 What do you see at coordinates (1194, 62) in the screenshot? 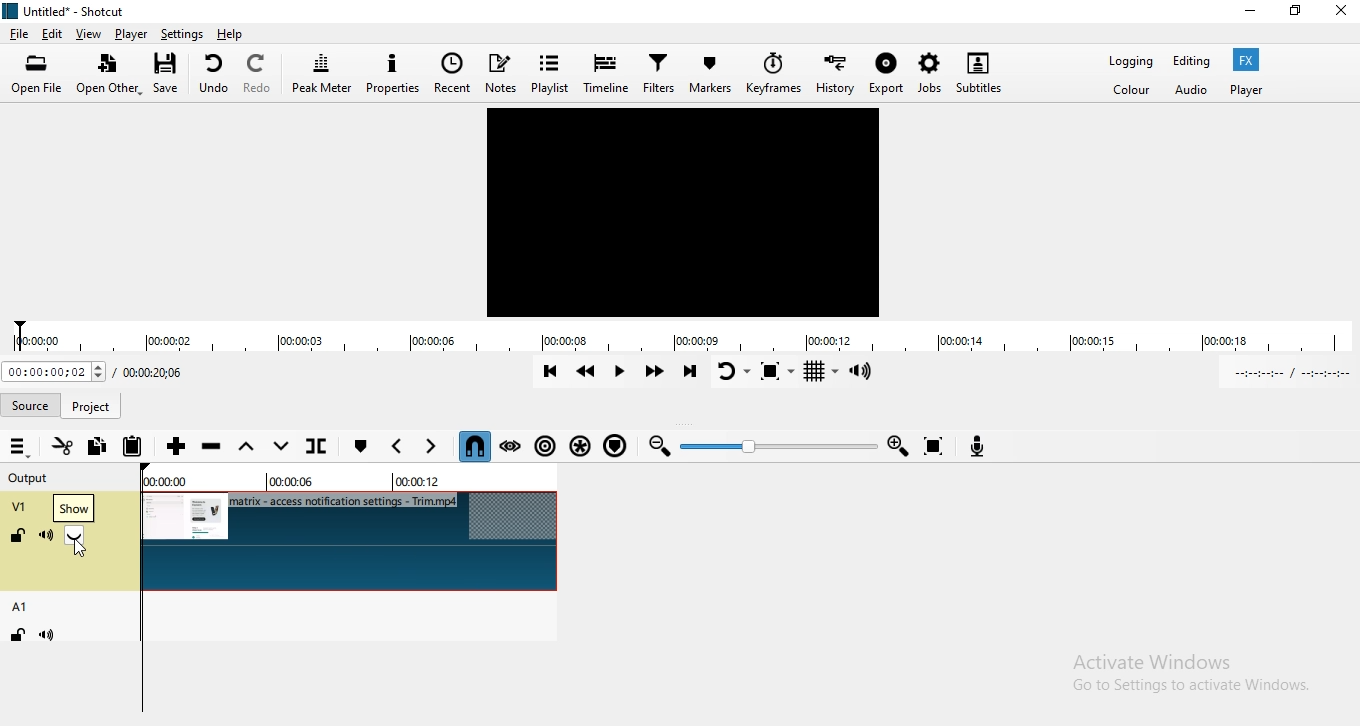
I see `Editing` at bounding box center [1194, 62].